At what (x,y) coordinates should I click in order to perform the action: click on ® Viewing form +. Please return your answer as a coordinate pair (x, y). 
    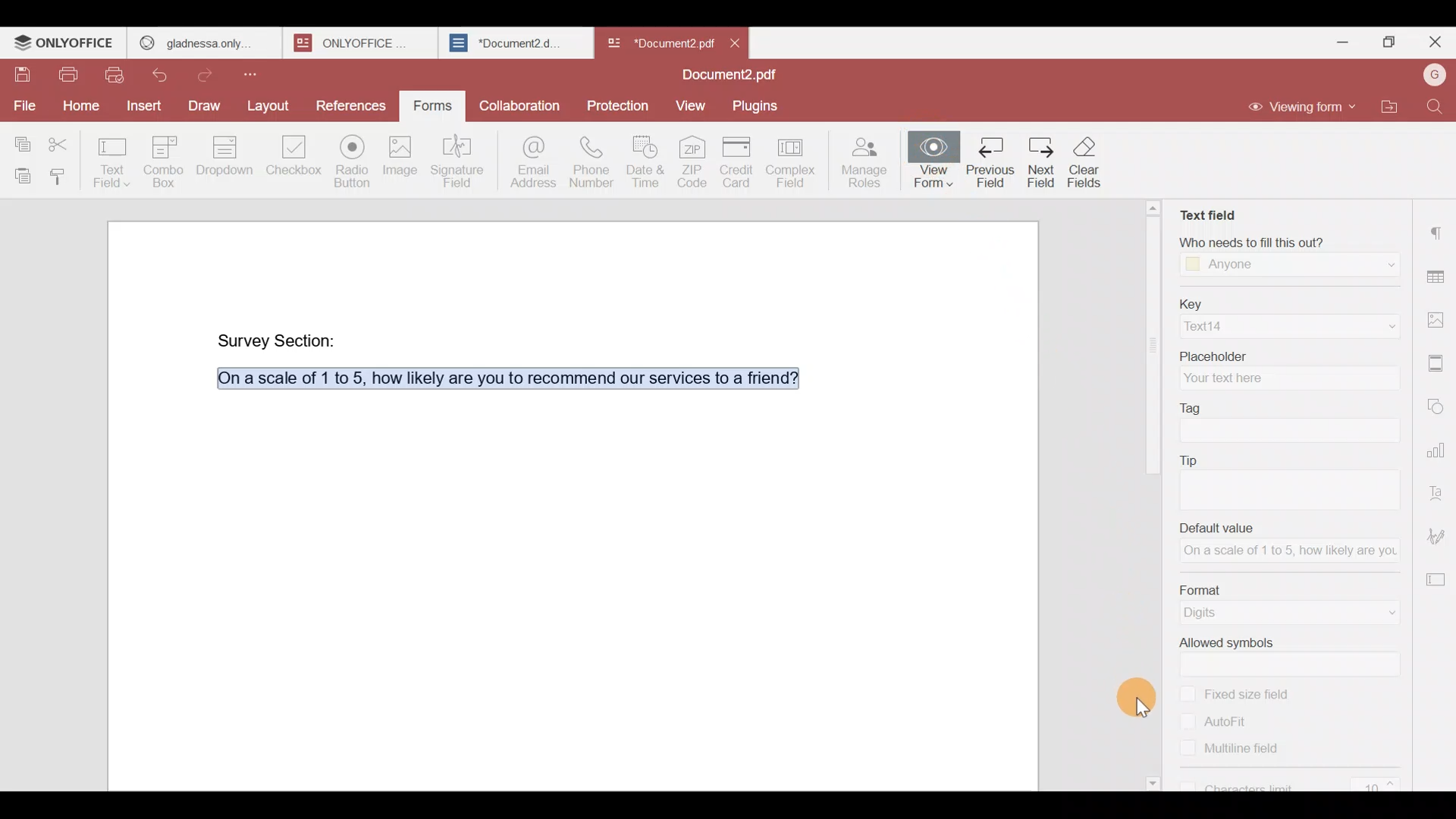
    Looking at the image, I should click on (1294, 108).